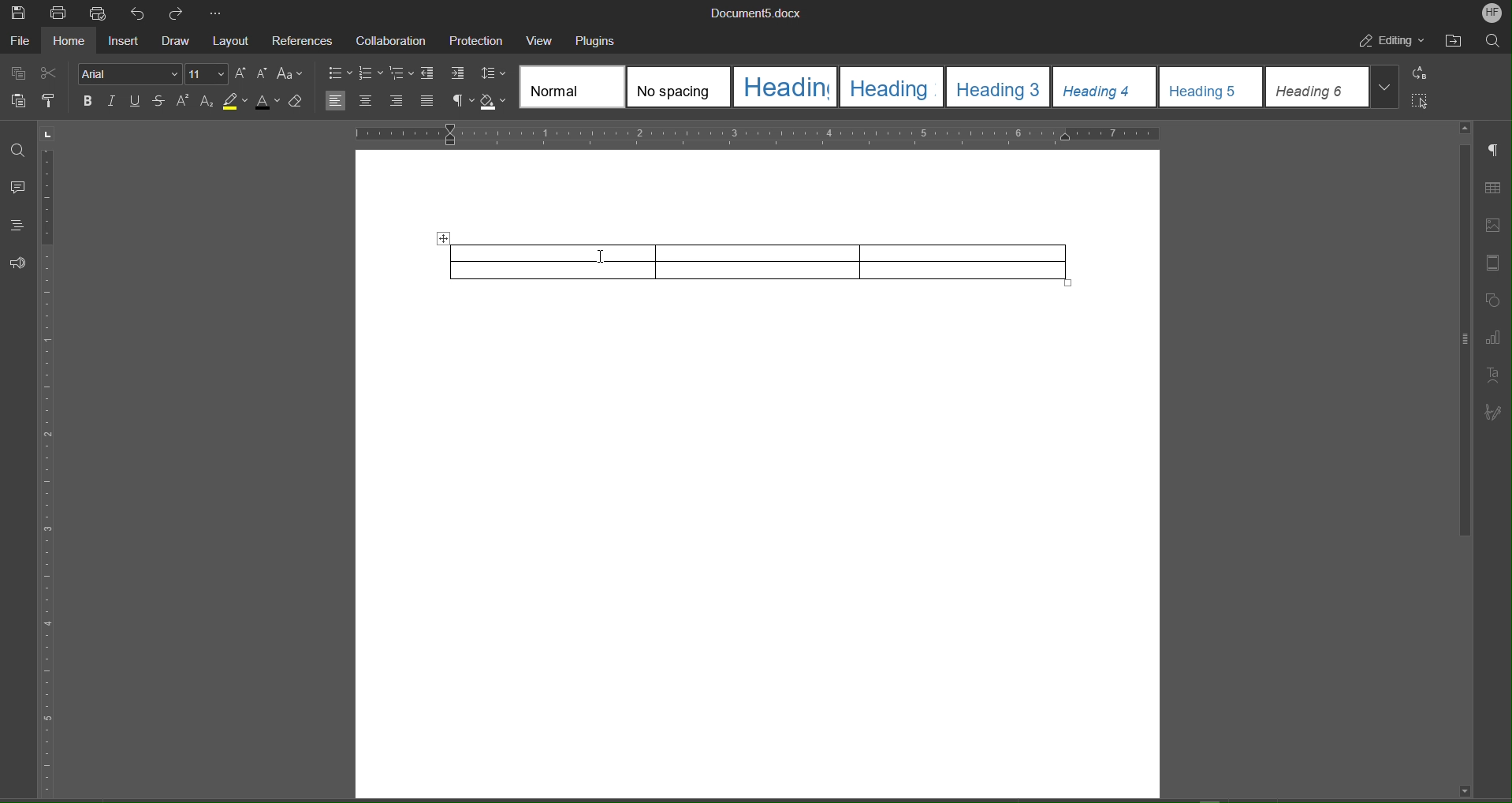 The image size is (1512, 803). Describe the element at coordinates (999, 87) in the screenshot. I see `heading 3` at that location.